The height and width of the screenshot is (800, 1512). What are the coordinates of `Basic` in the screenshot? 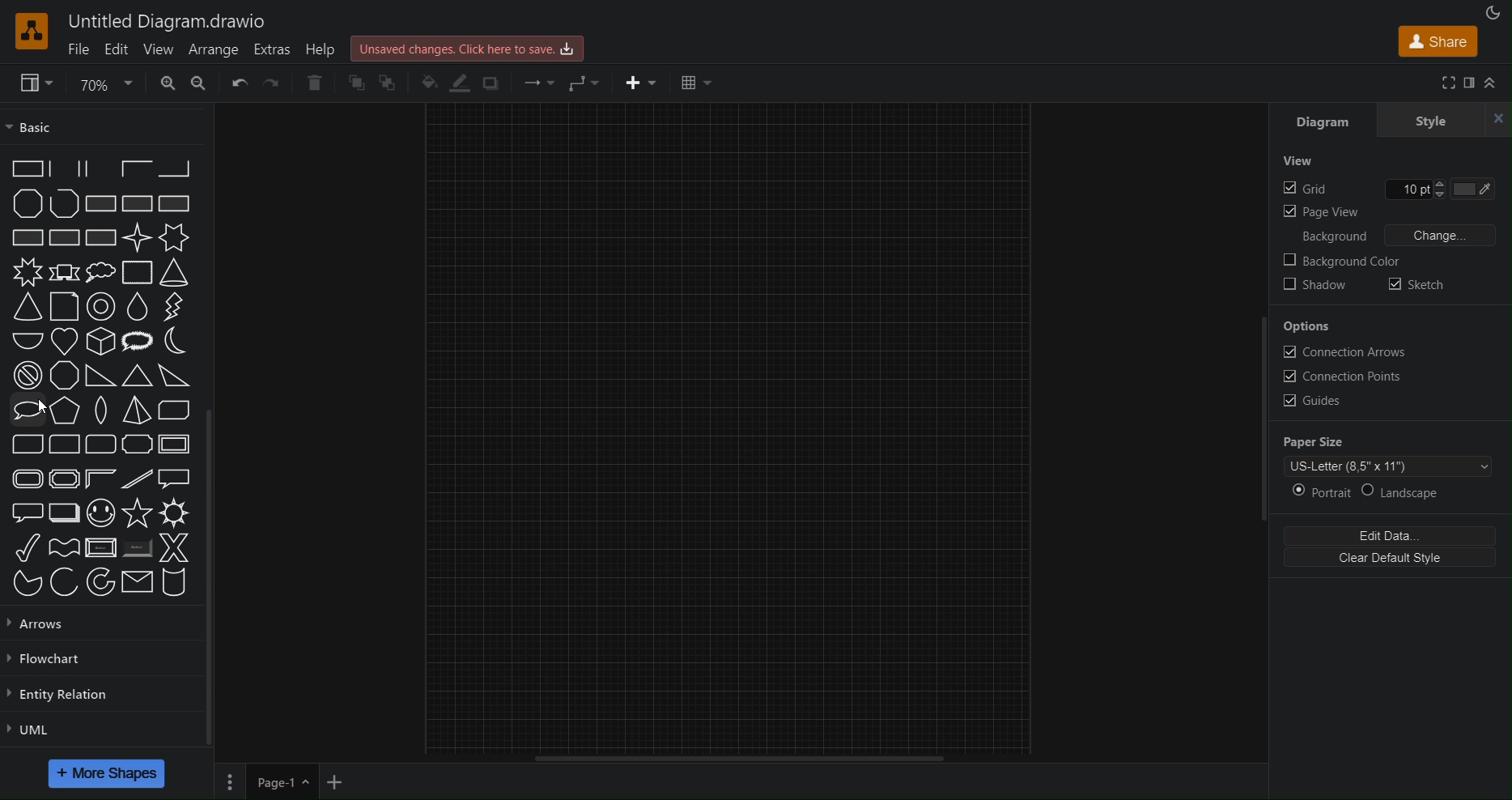 It's located at (36, 126).